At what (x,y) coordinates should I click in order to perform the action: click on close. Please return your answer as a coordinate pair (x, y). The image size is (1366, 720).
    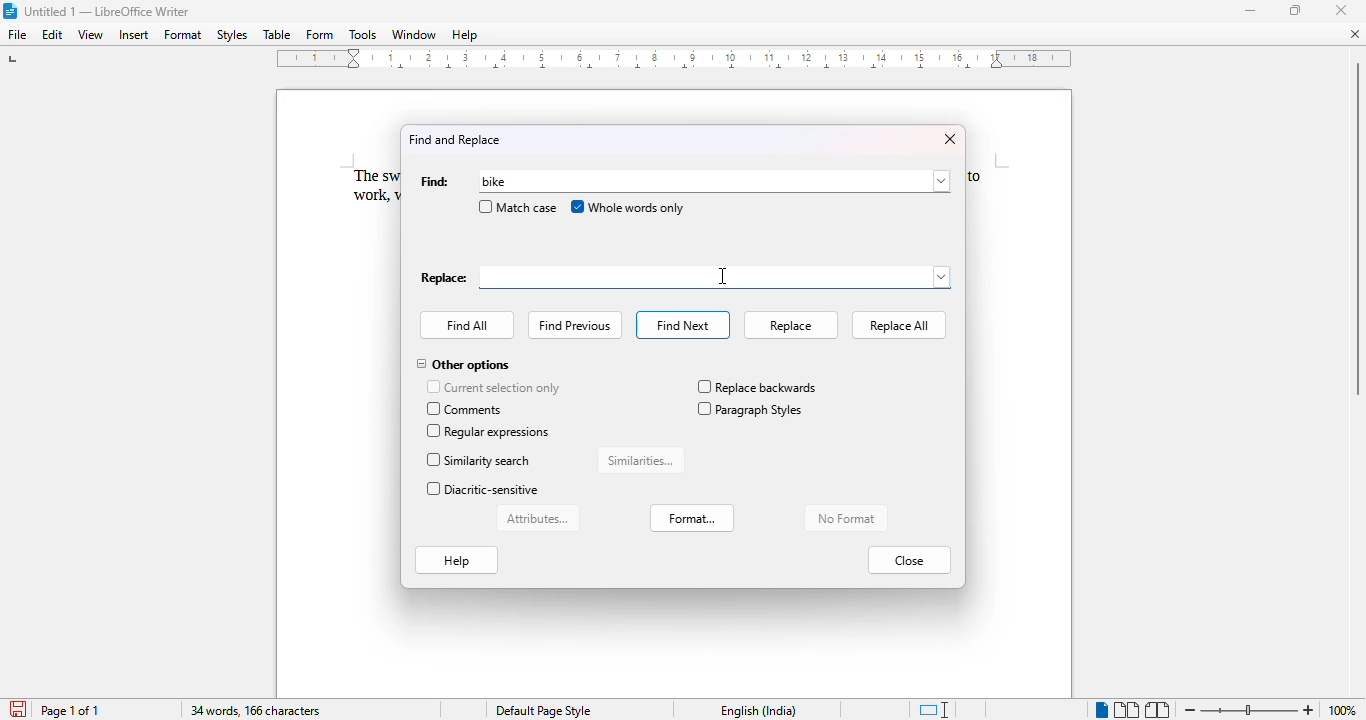
    Looking at the image, I should click on (1341, 10).